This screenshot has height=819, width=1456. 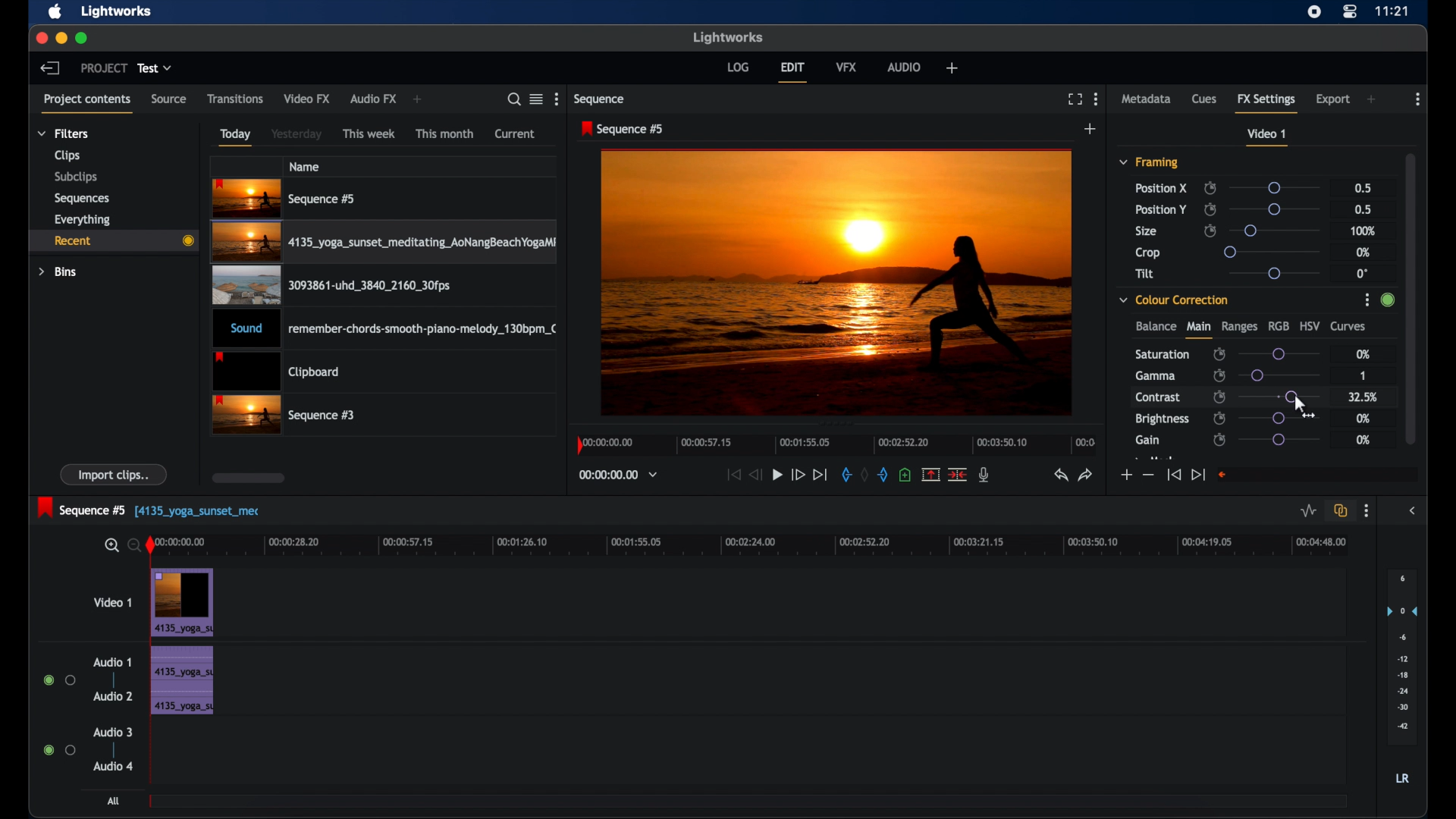 What do you see at coordinates (1385, 304) in the screenshot?
I see `slider change` at bounding box center [1385, 304].